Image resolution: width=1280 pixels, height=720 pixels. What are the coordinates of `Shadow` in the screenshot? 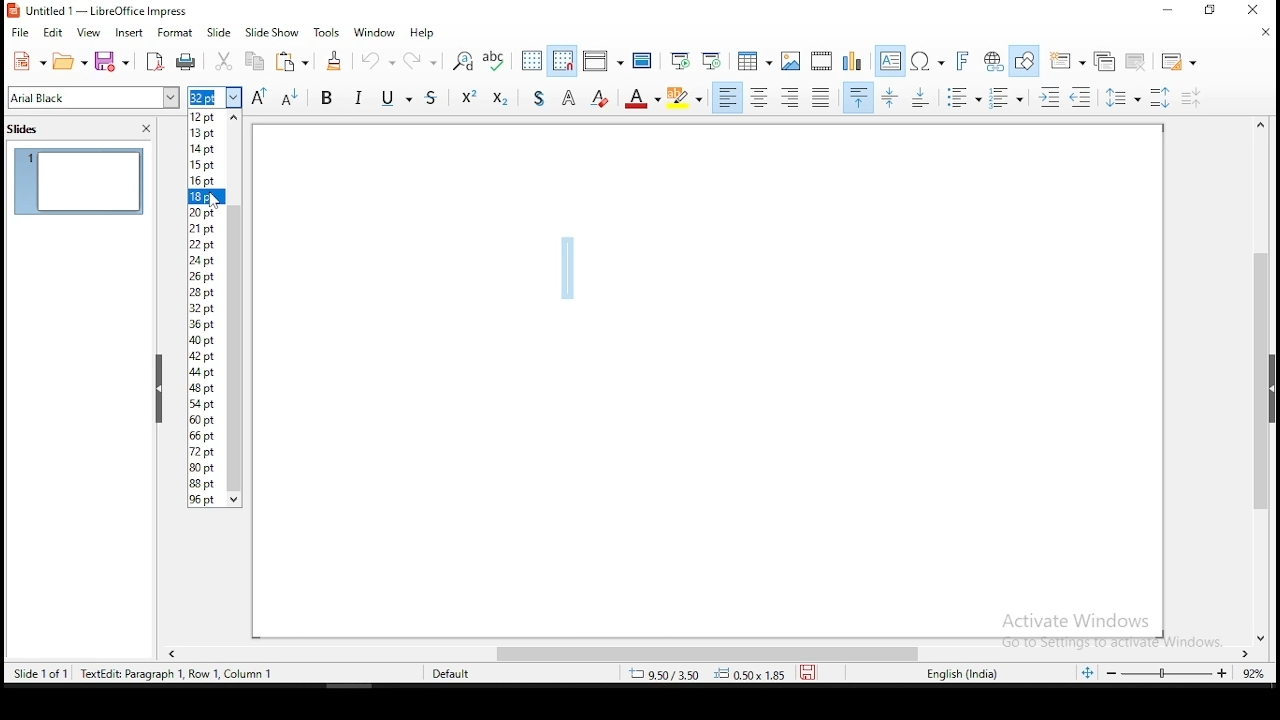 It's located at (539, 96).